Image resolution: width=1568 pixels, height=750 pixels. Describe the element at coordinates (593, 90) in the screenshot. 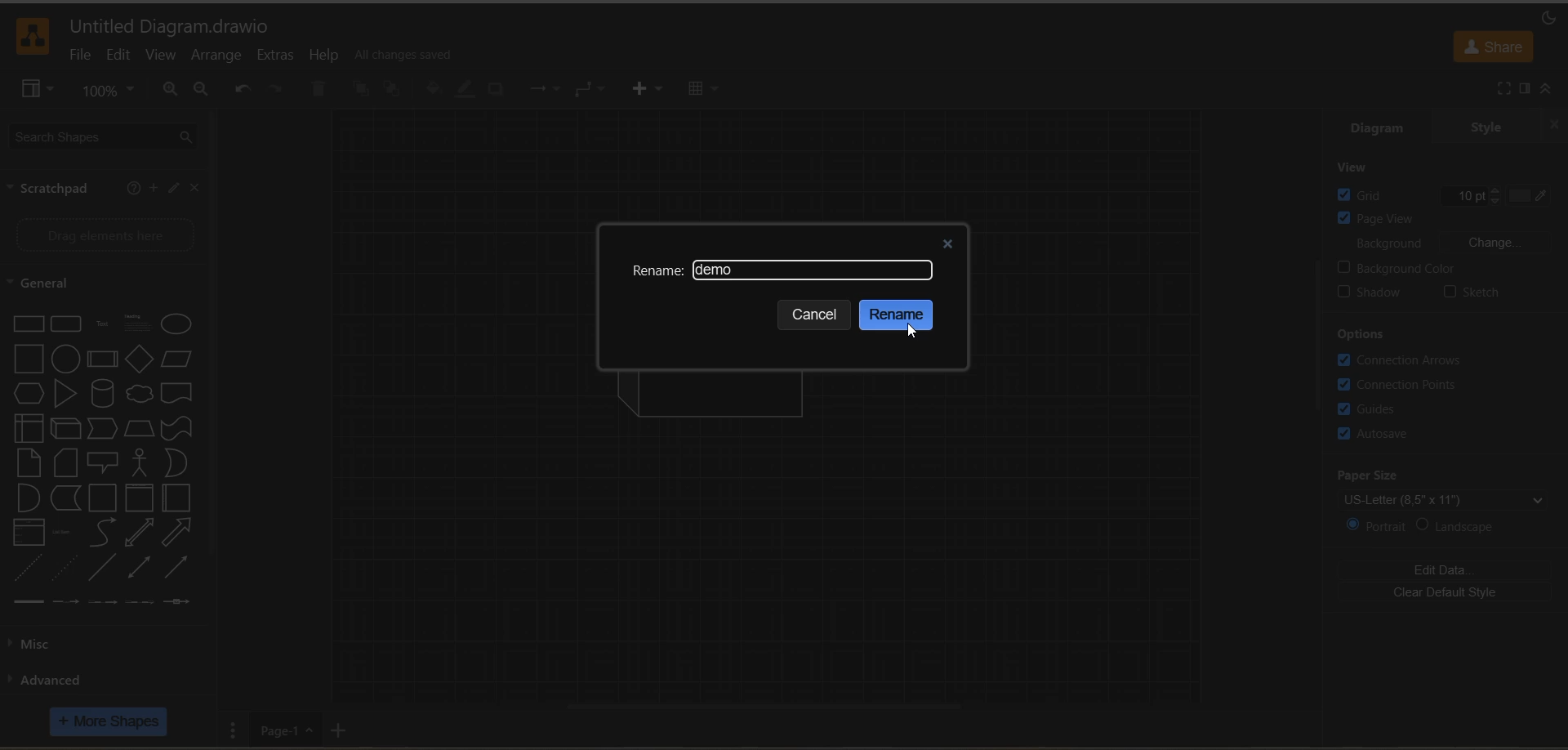

I see `waypoints` at that location.